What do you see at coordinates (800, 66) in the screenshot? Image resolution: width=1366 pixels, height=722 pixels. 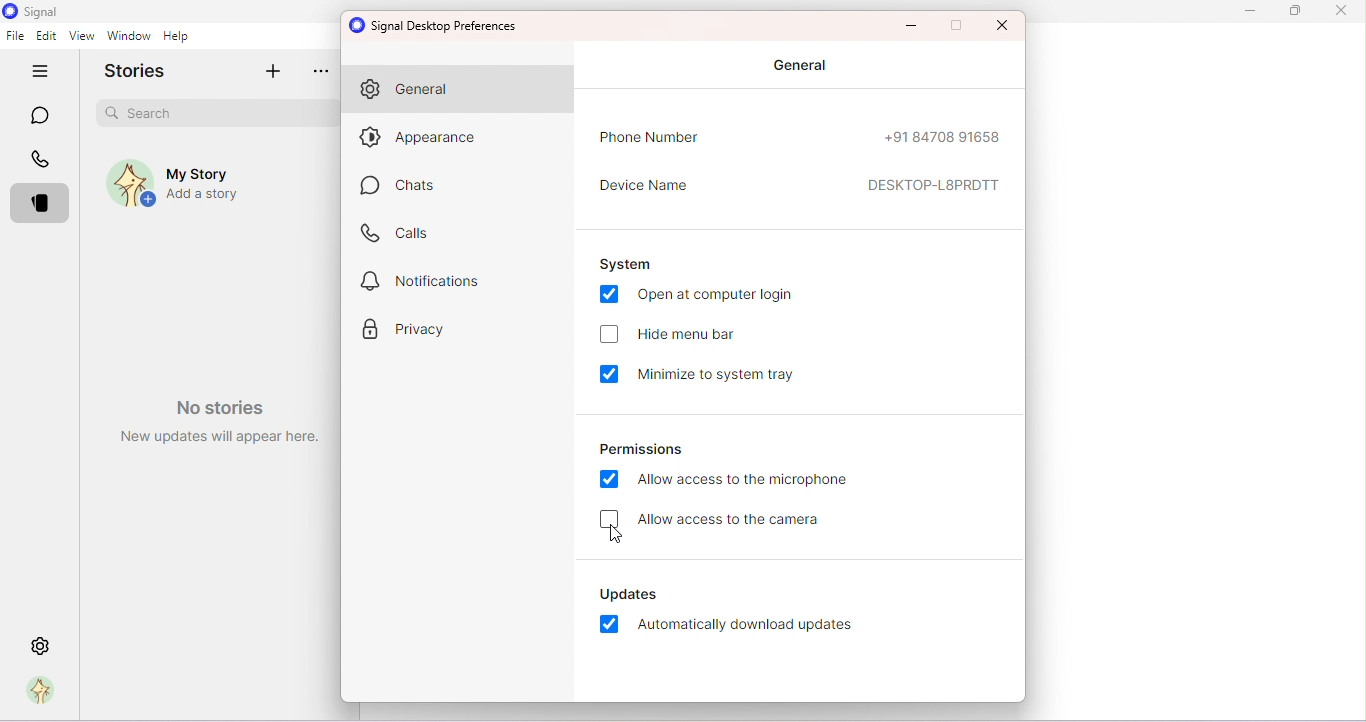 I see `General` at bounding box center [800, 66].